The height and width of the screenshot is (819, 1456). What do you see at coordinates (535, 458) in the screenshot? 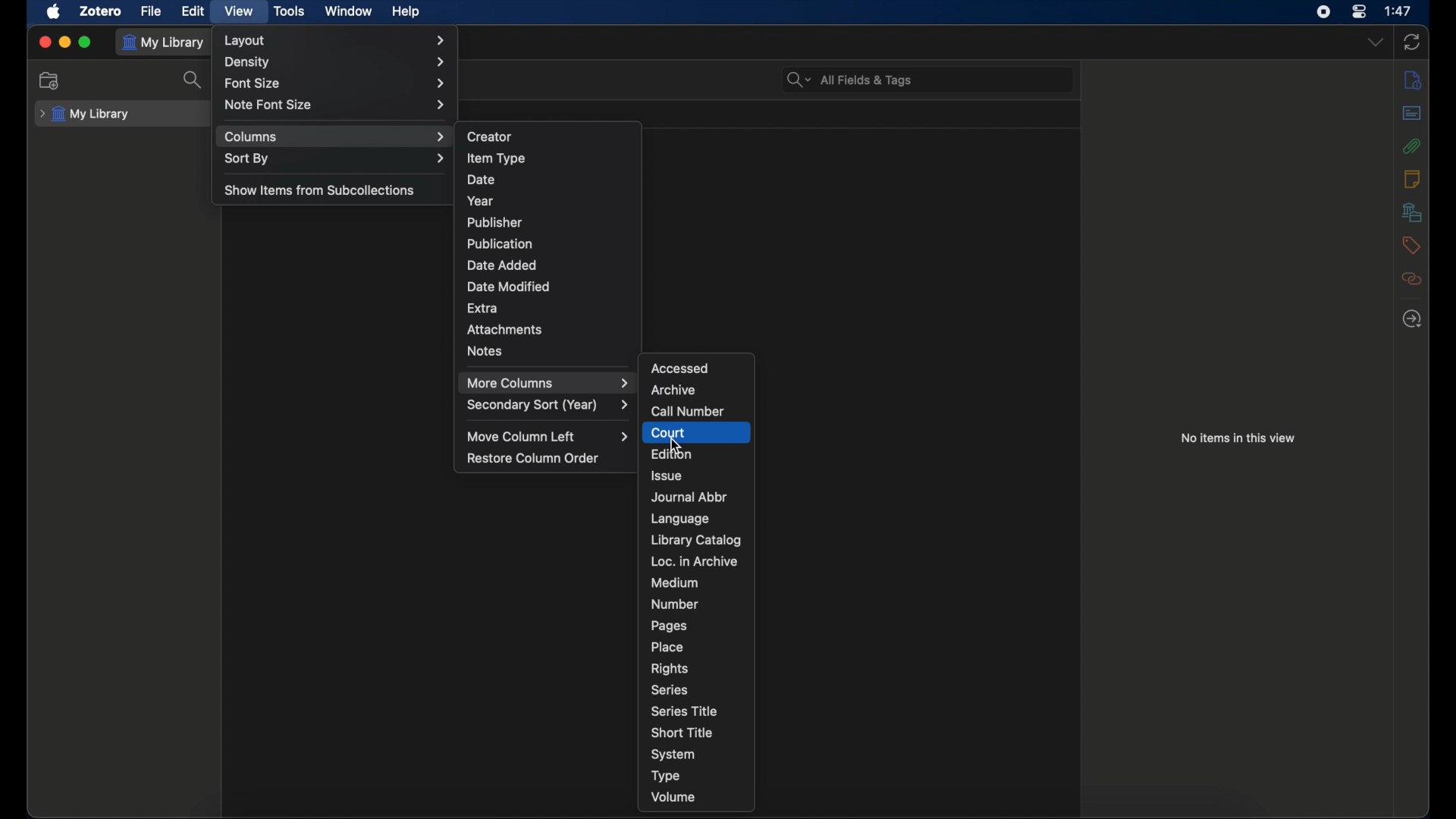
I see `restore column order` at bounding box center [535, 458].